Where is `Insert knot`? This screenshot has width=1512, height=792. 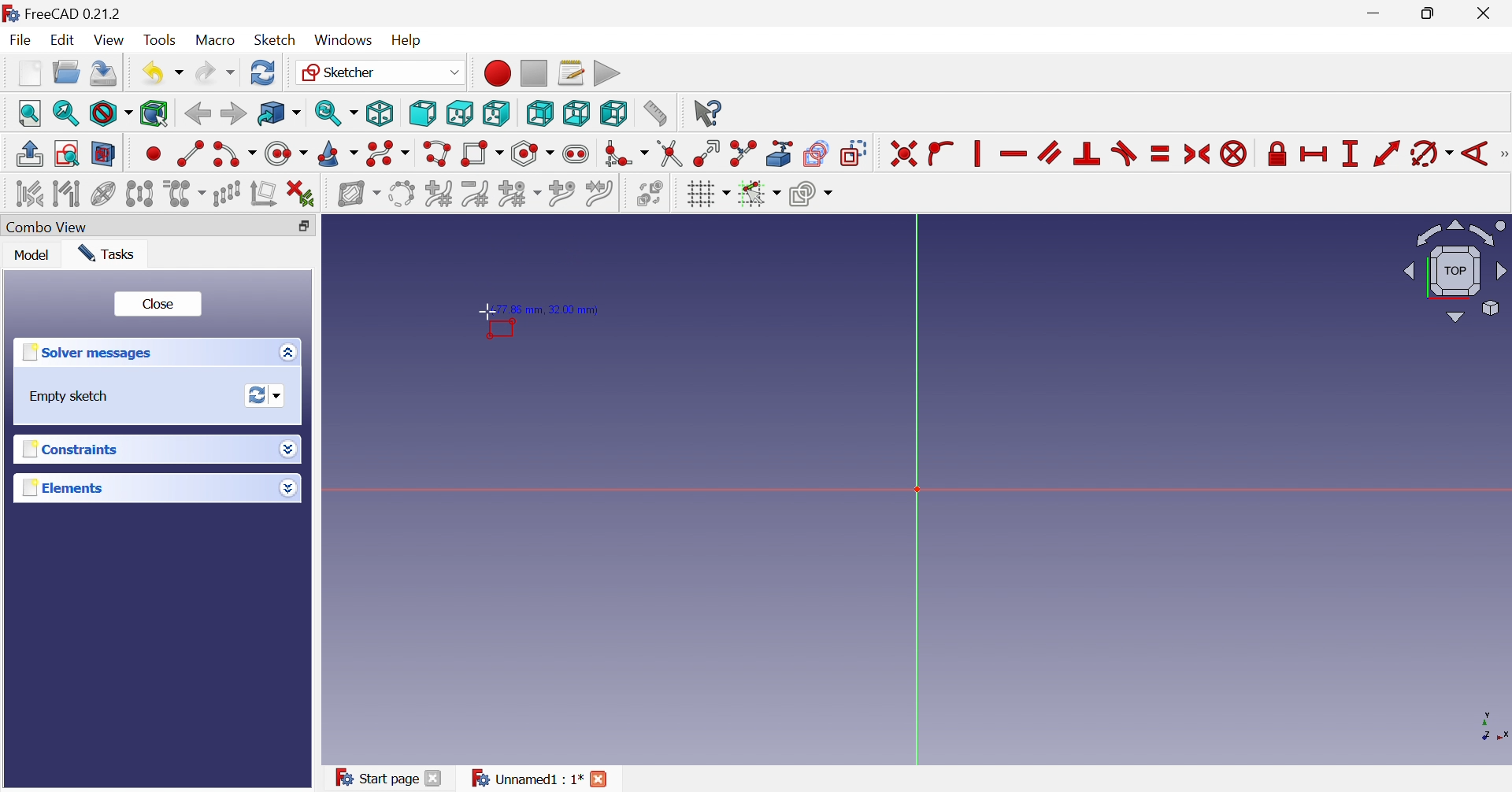
Insert knot is located at coordinates (562, 196).